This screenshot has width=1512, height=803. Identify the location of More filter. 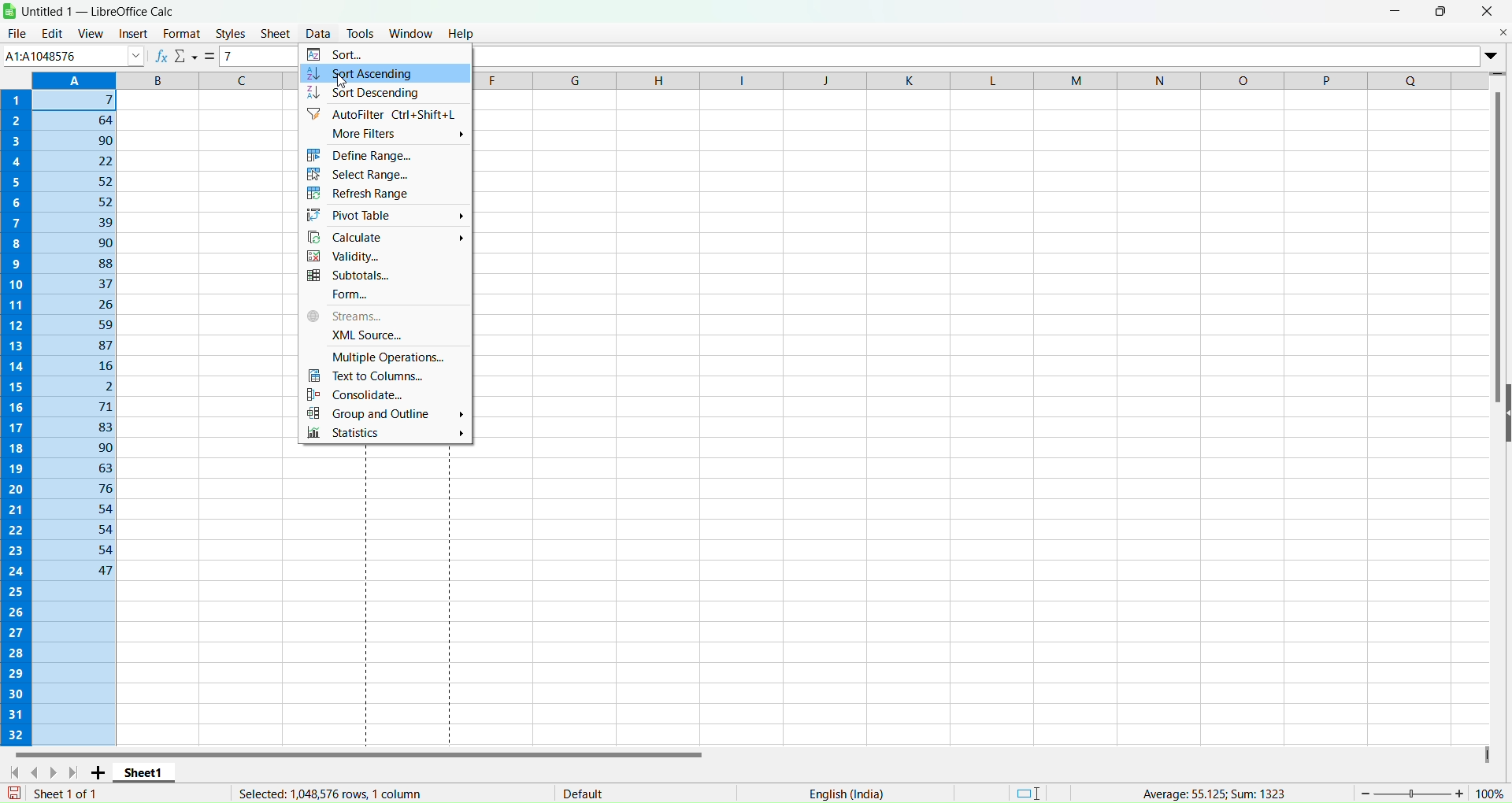
(384, 135).